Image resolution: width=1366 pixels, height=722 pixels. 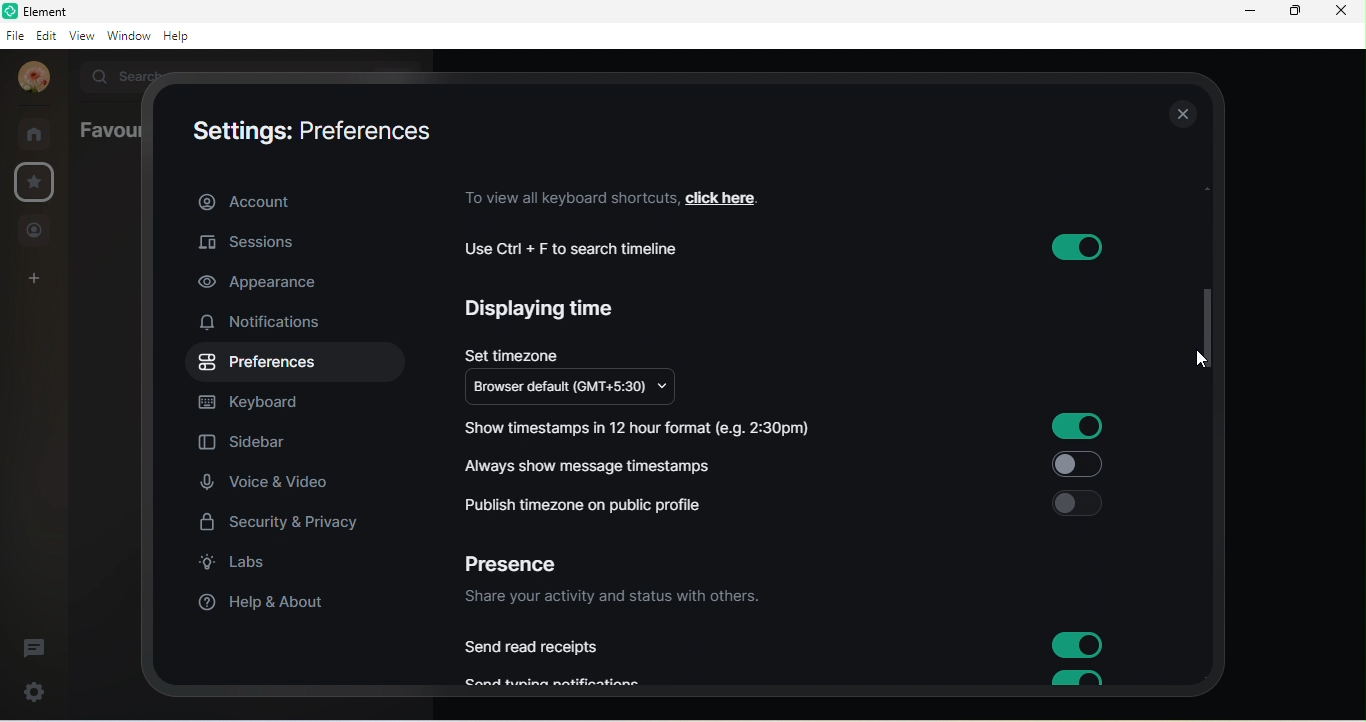 I want to click on profile photo, so click(x=30, y=78).